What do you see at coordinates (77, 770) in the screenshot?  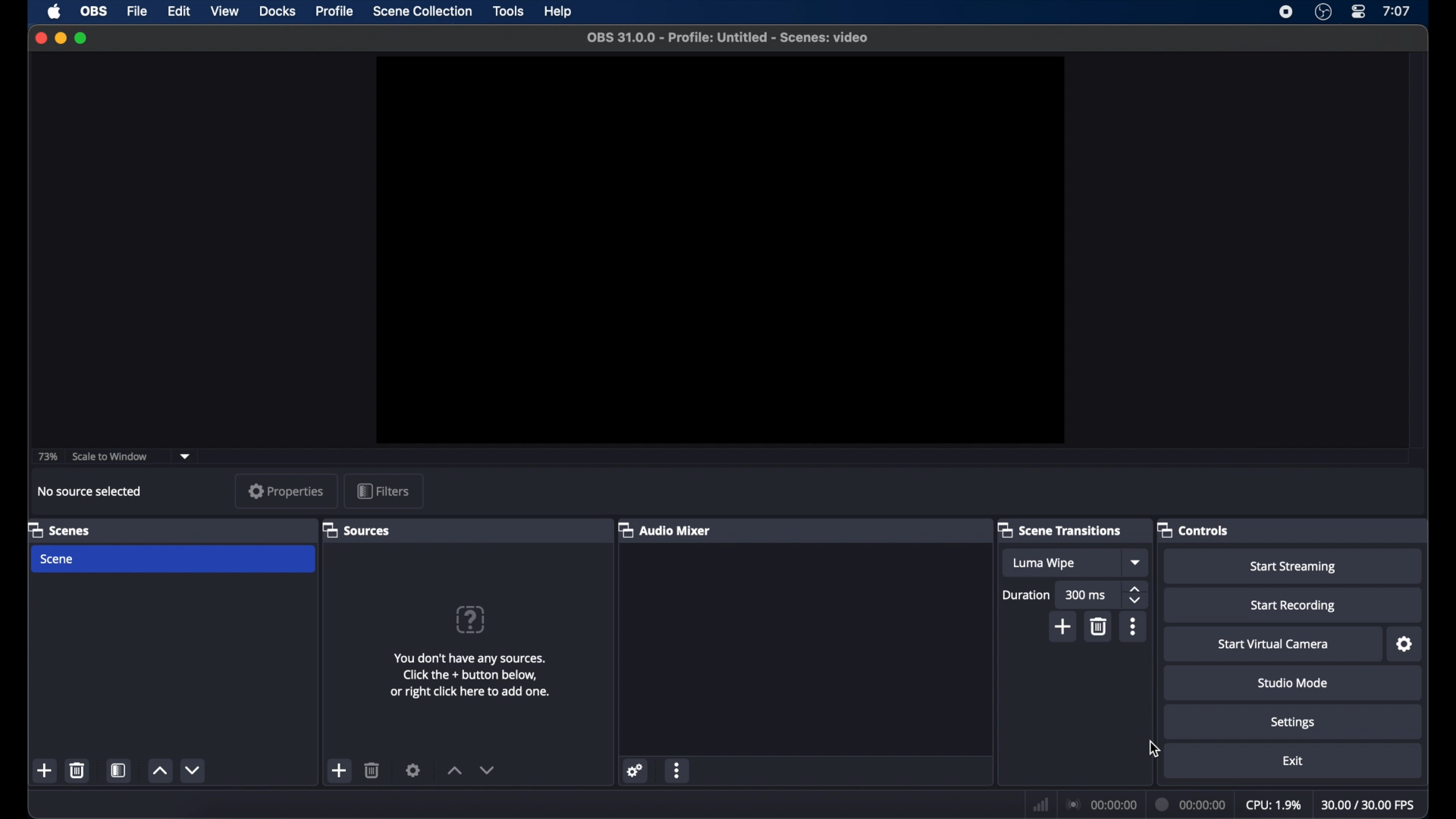 I see `delete` at bounding box center [77, 770].